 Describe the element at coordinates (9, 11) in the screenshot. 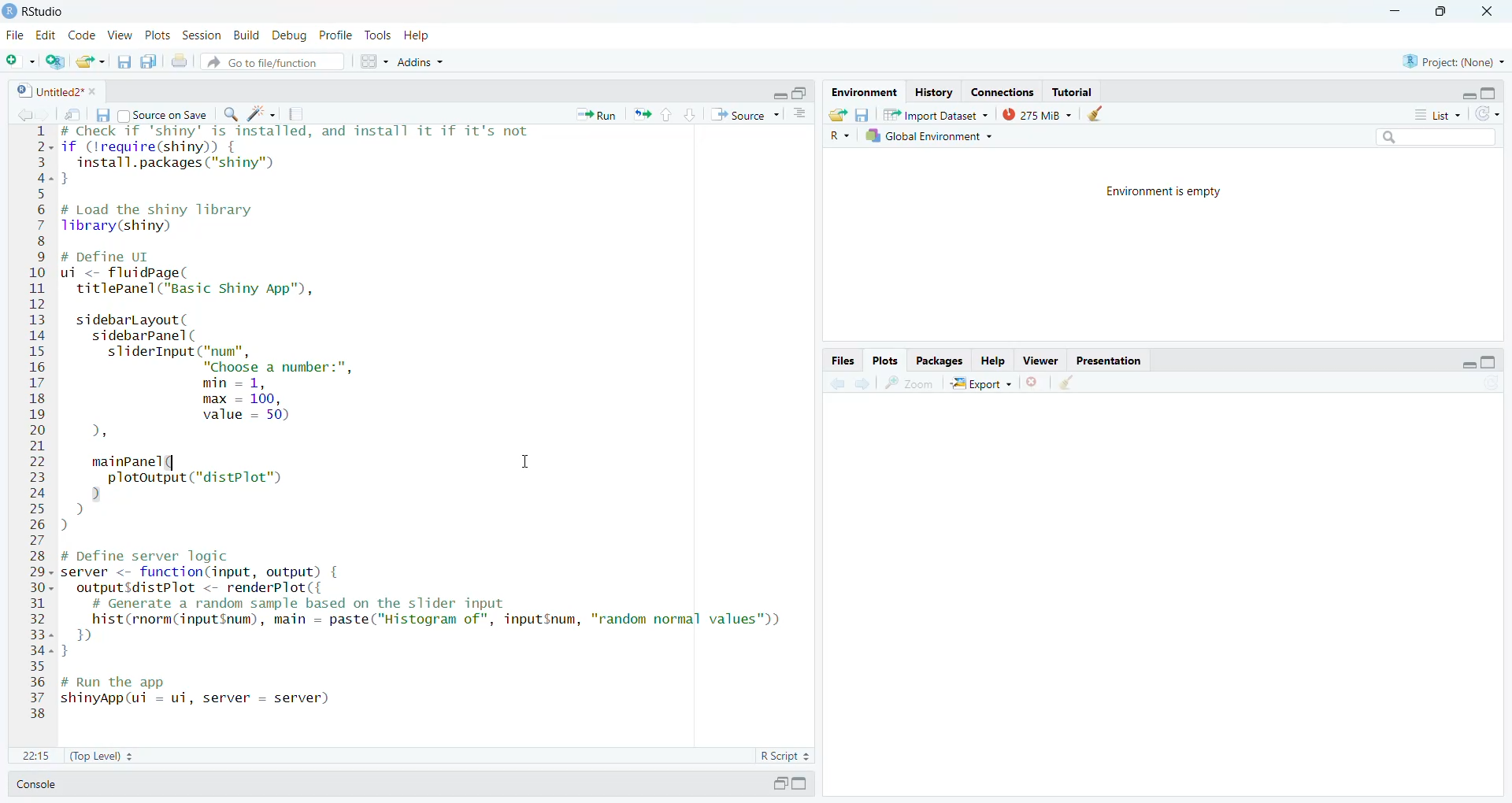

I see `logo` at that location.